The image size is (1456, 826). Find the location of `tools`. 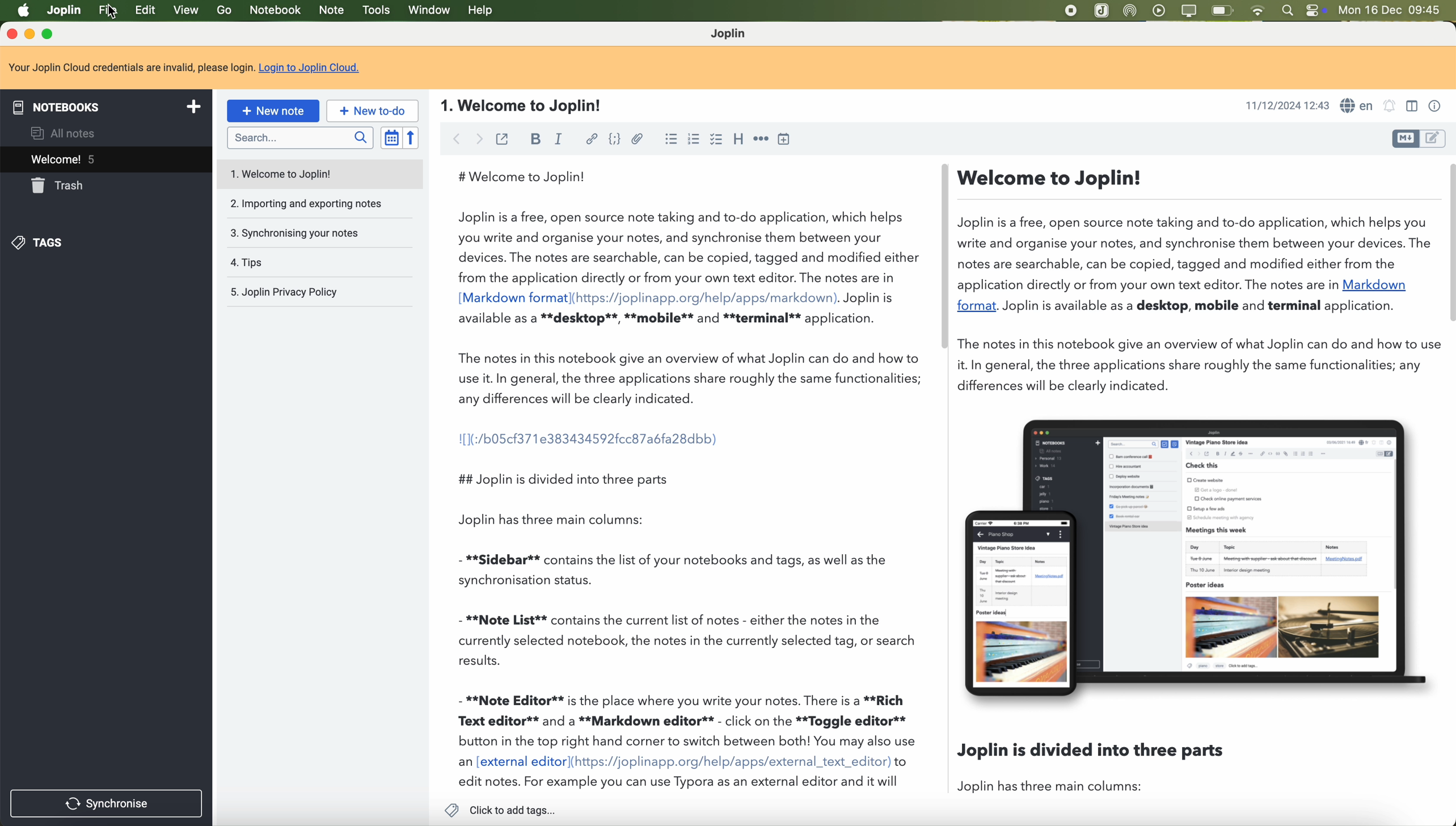

tools is located at coordinates (375, 11).